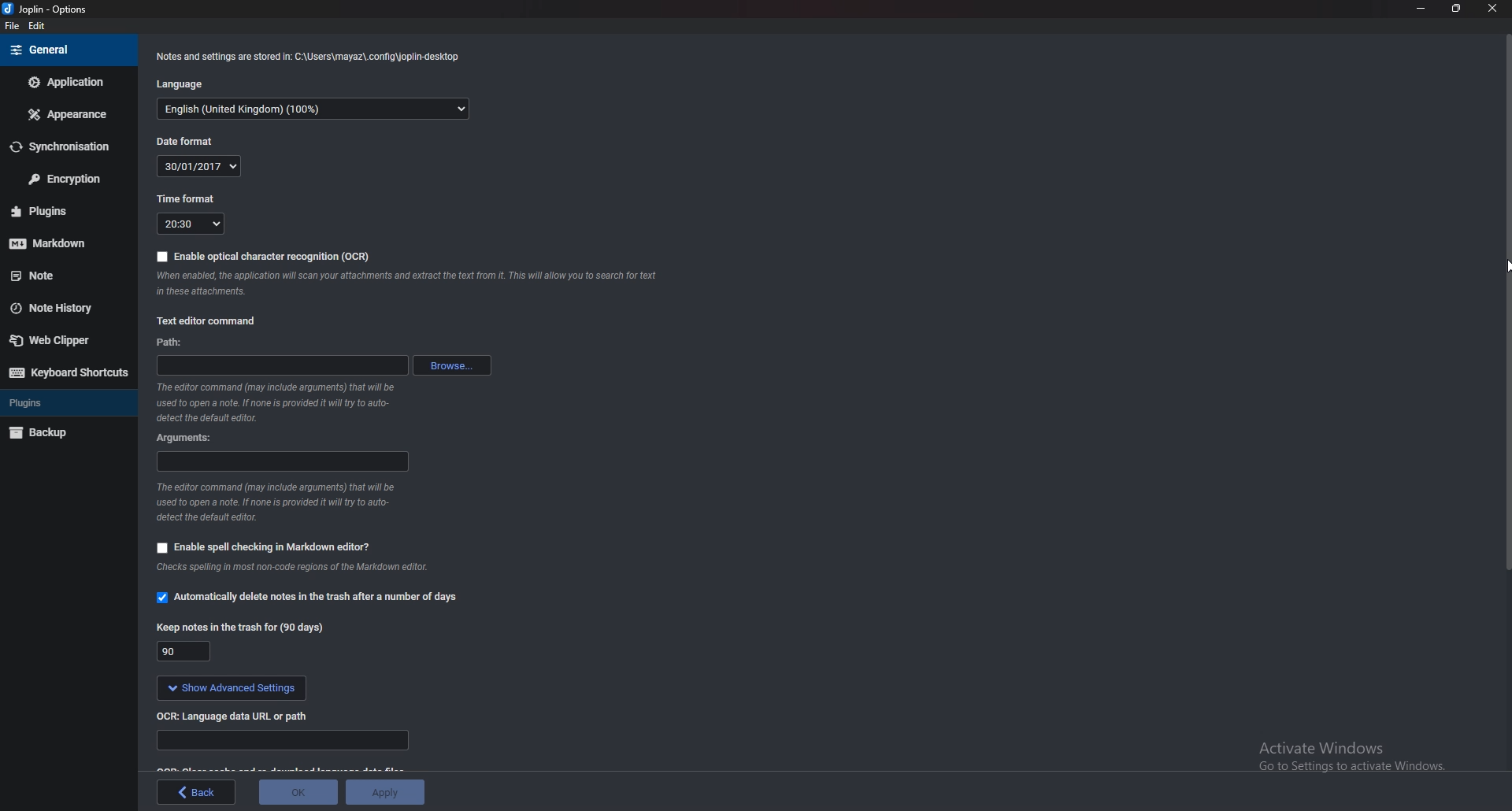 This screenshot has width=1512, height=811. What do you see at coordinates (67, 50) in the screenshot?
I see `general` at bounding box center [67, 50].